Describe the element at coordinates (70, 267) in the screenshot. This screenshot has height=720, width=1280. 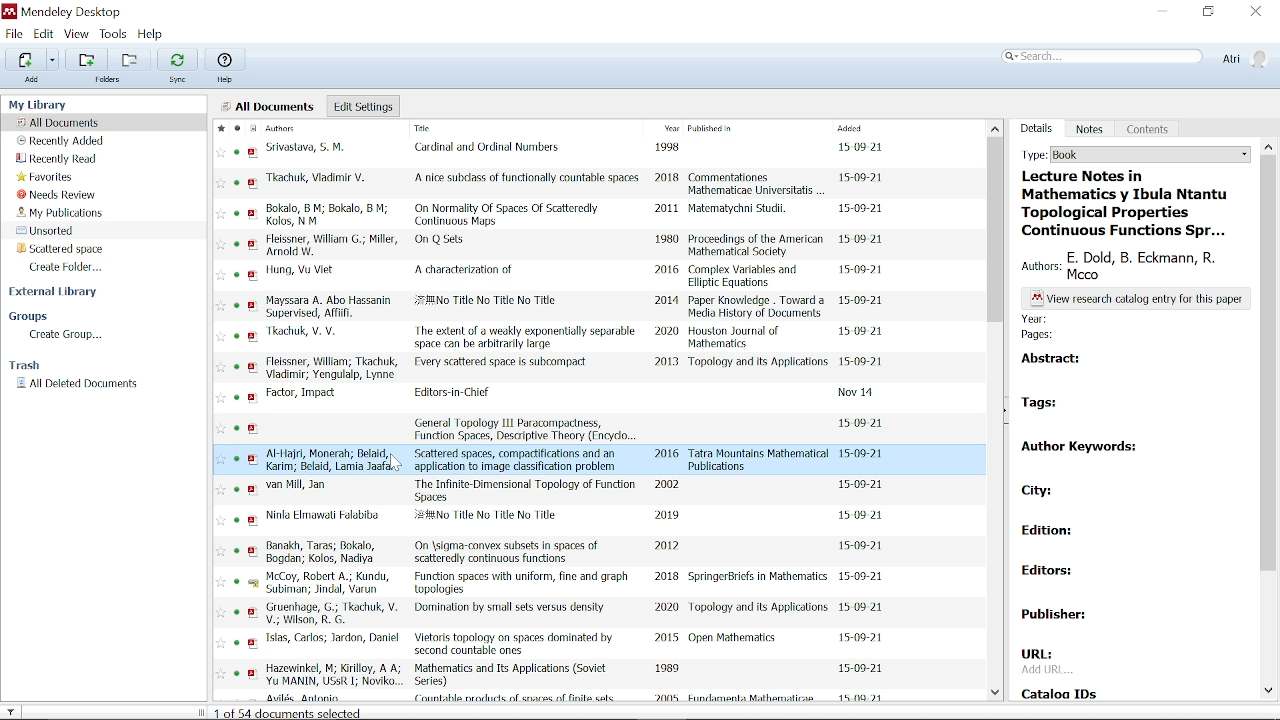
I see `Create folder` at that location.